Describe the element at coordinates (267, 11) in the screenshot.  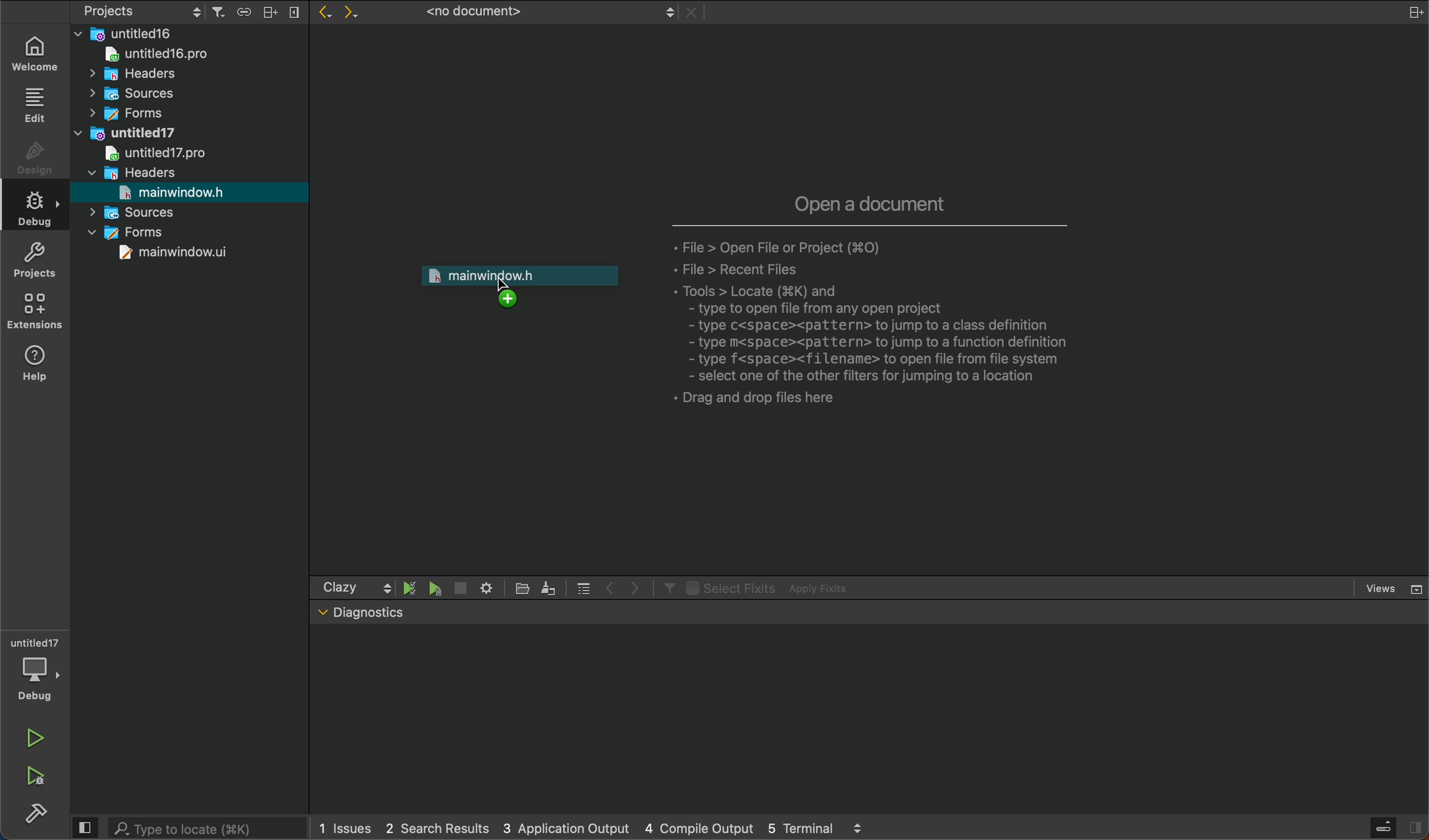
I see `Arrange` at that location.